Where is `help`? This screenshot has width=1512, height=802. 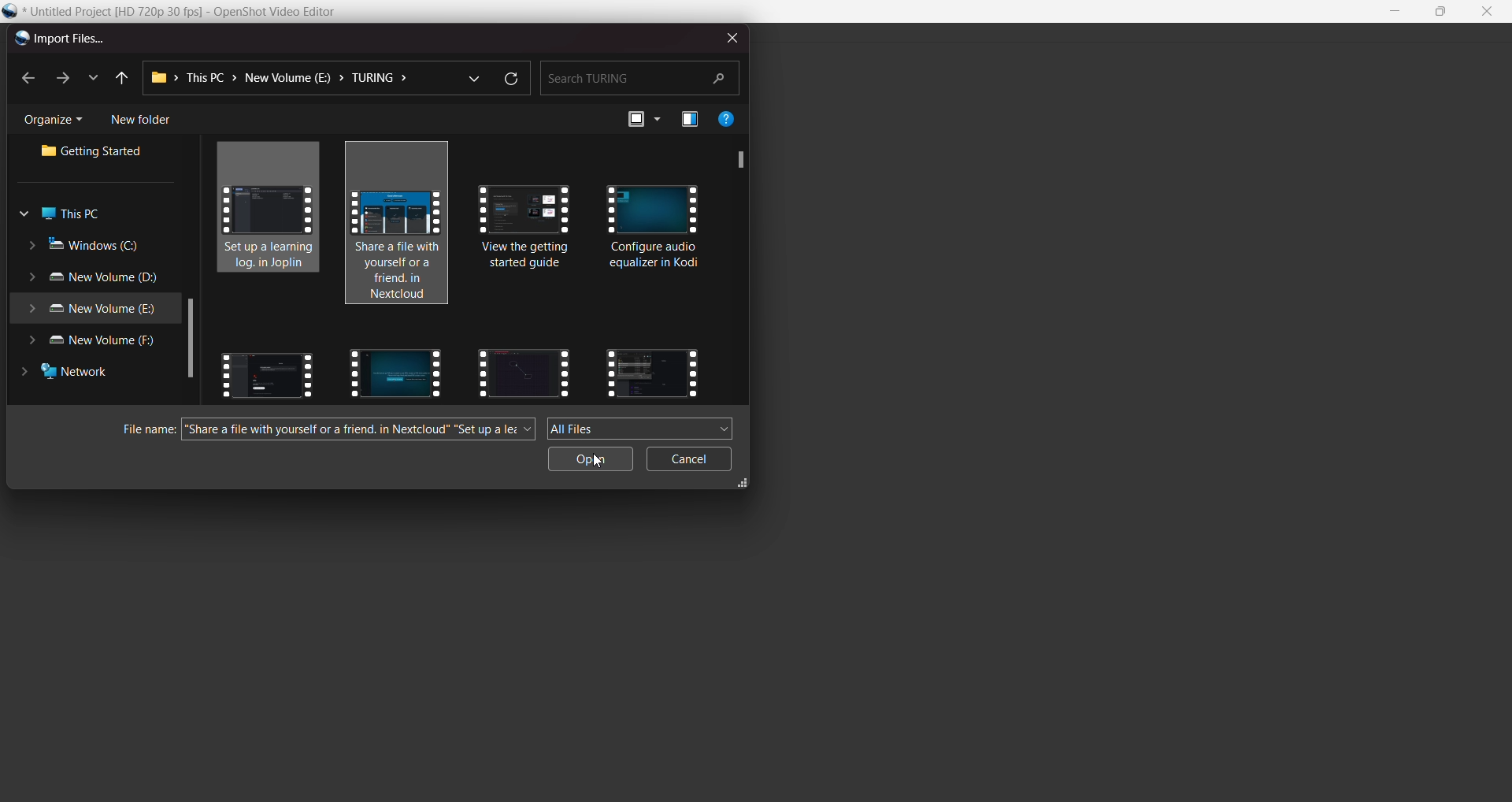 help is located at coordinates (727, 118).